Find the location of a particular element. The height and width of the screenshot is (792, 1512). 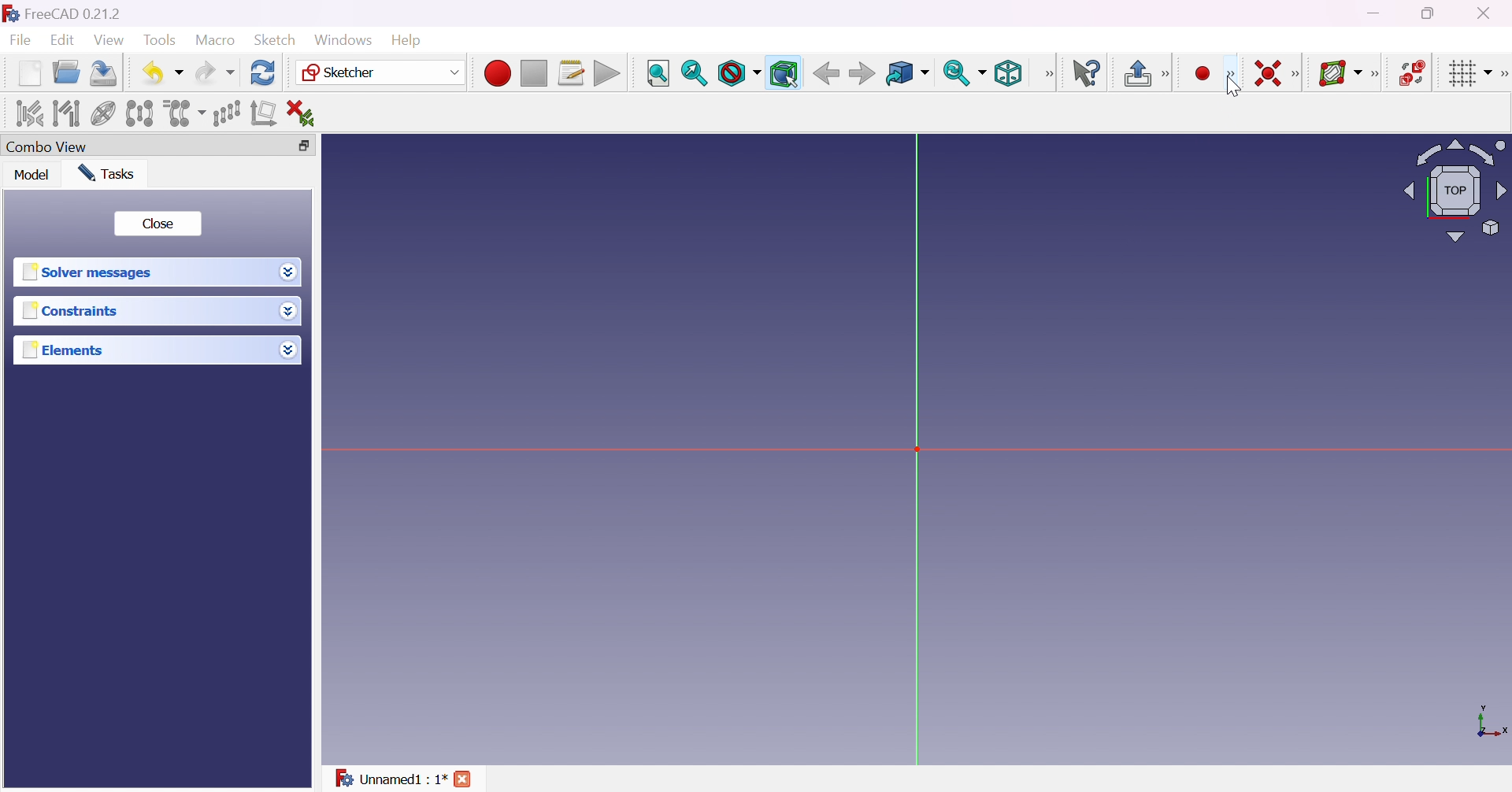

Unnamed : 1* is located at coordinates (390, 775).